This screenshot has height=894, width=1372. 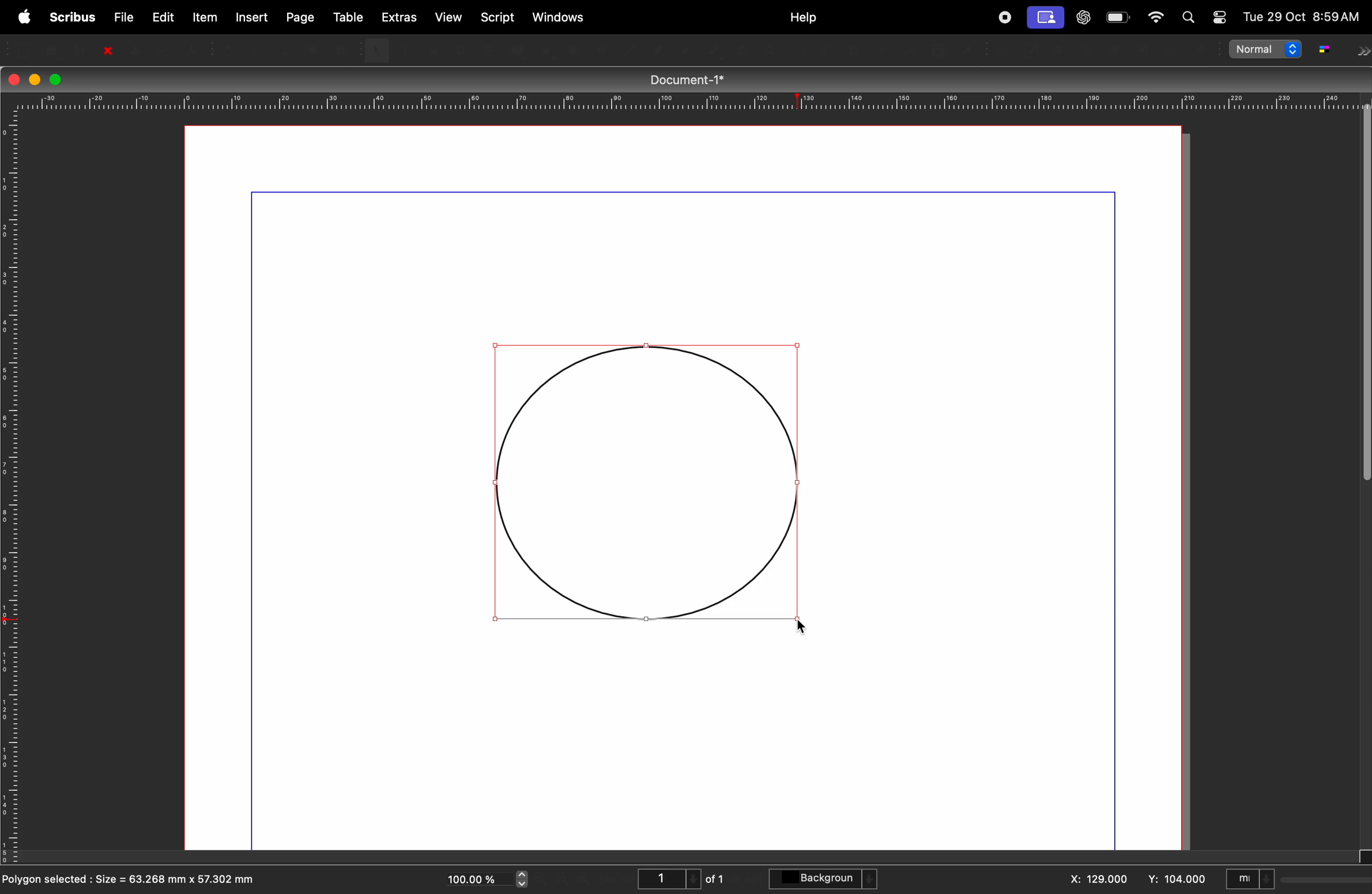 What do you see at coordinates (25, 48) in the screenshot?
I see `new` at bounding box center [25, 48].